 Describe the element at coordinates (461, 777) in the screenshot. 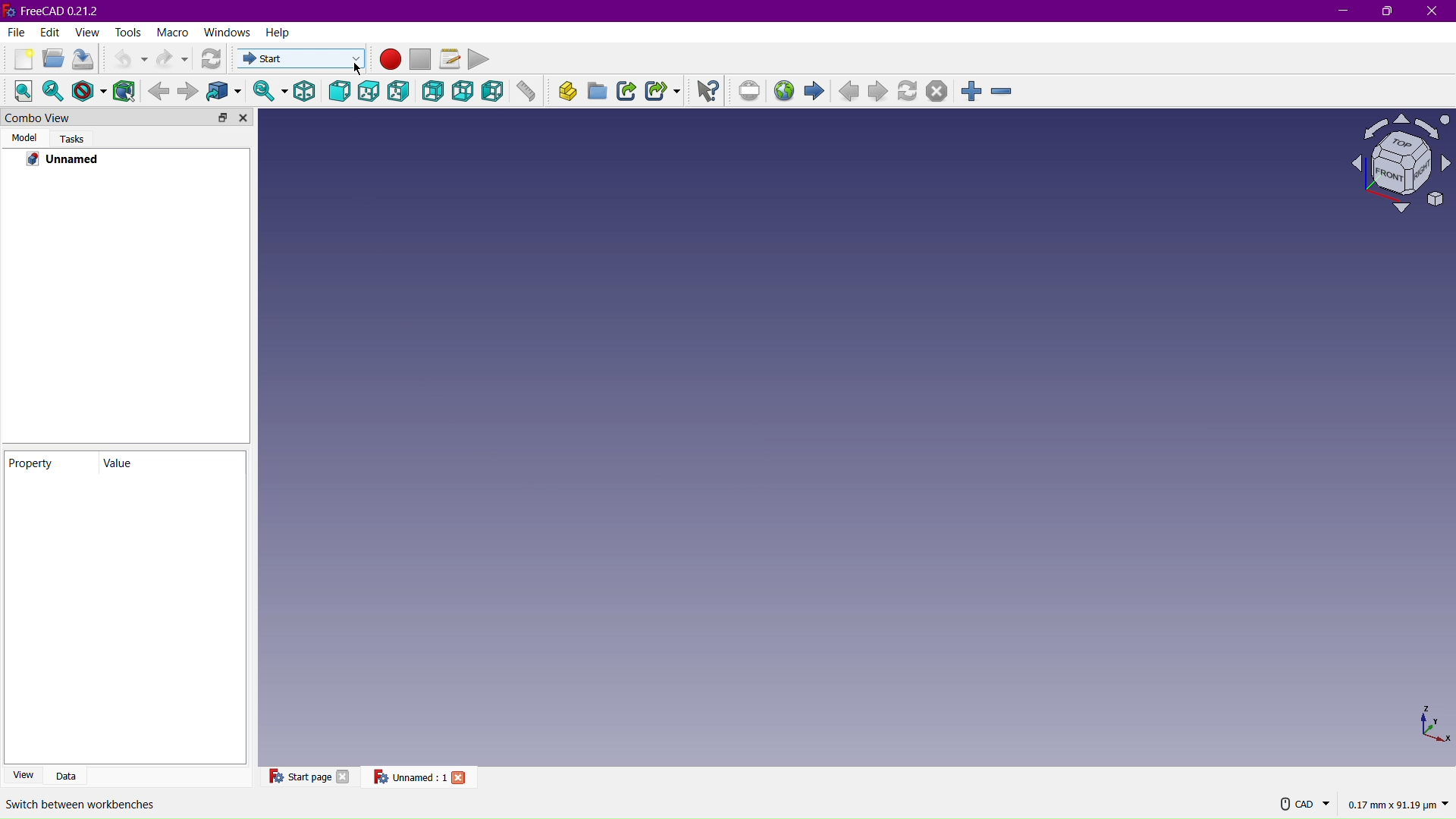

I see `close` at that location.